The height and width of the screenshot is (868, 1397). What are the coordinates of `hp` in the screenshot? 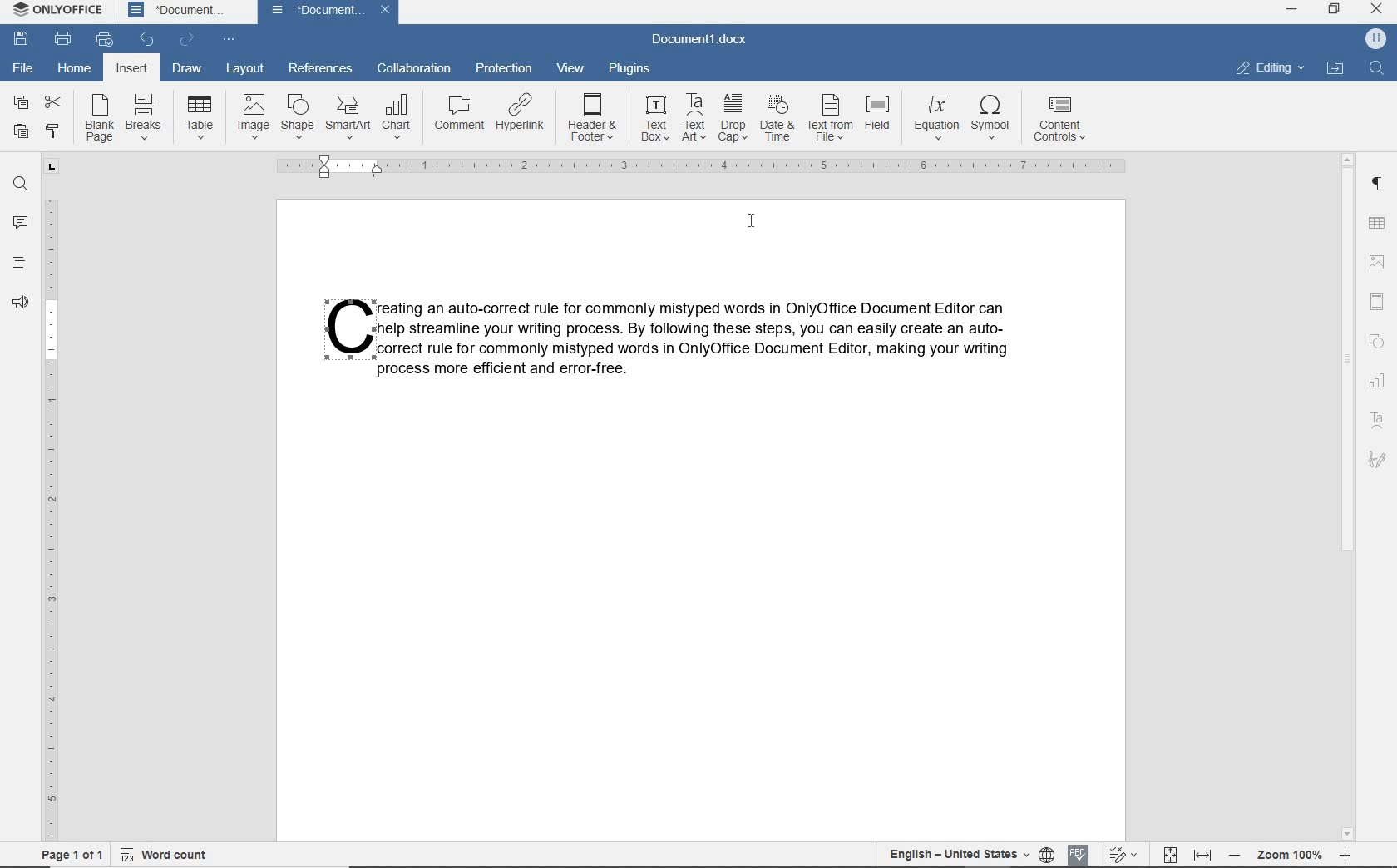 It's located at (1379, 39).